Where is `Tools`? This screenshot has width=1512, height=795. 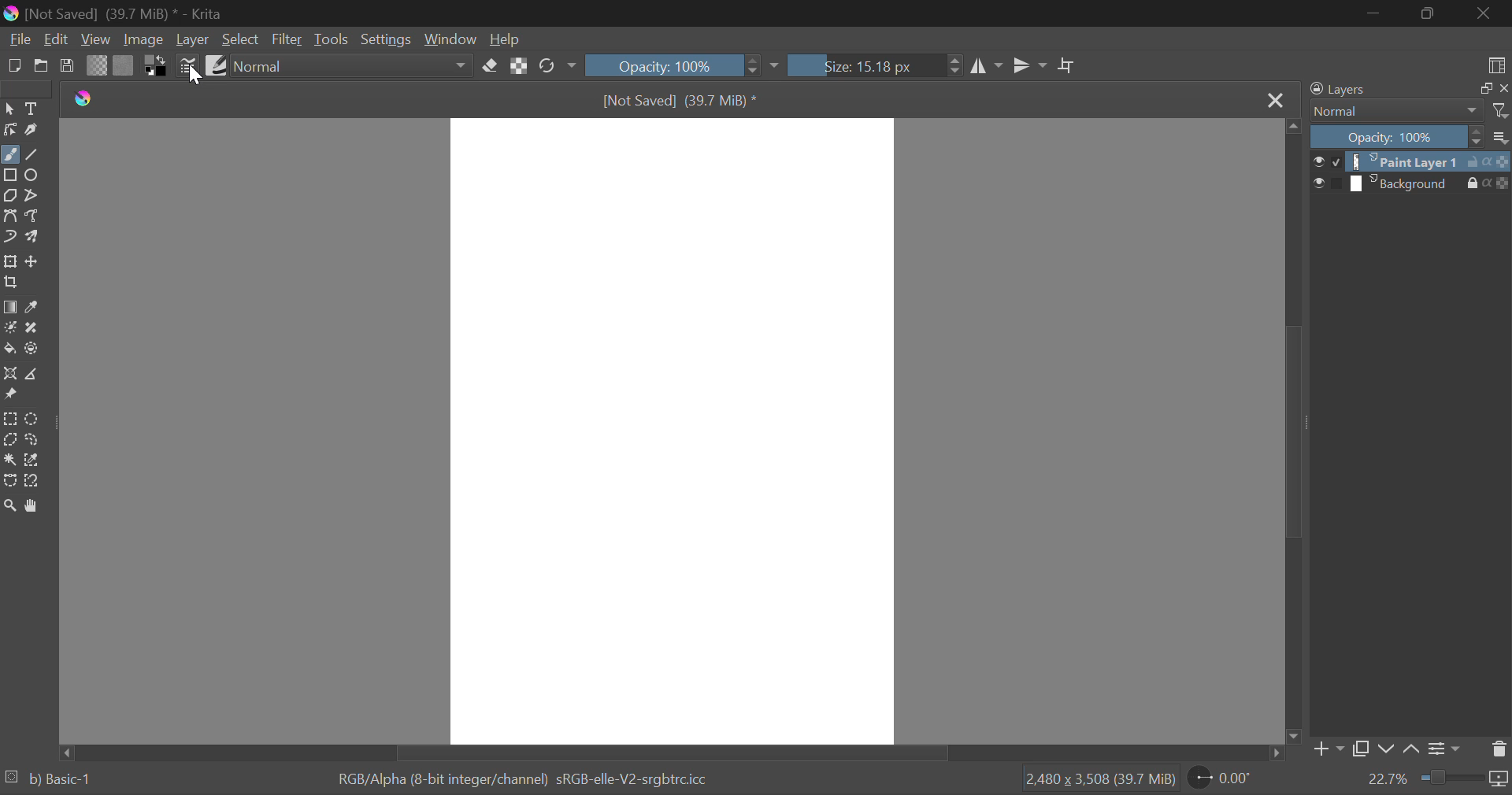
Tools is located at coordinates (332, 37).